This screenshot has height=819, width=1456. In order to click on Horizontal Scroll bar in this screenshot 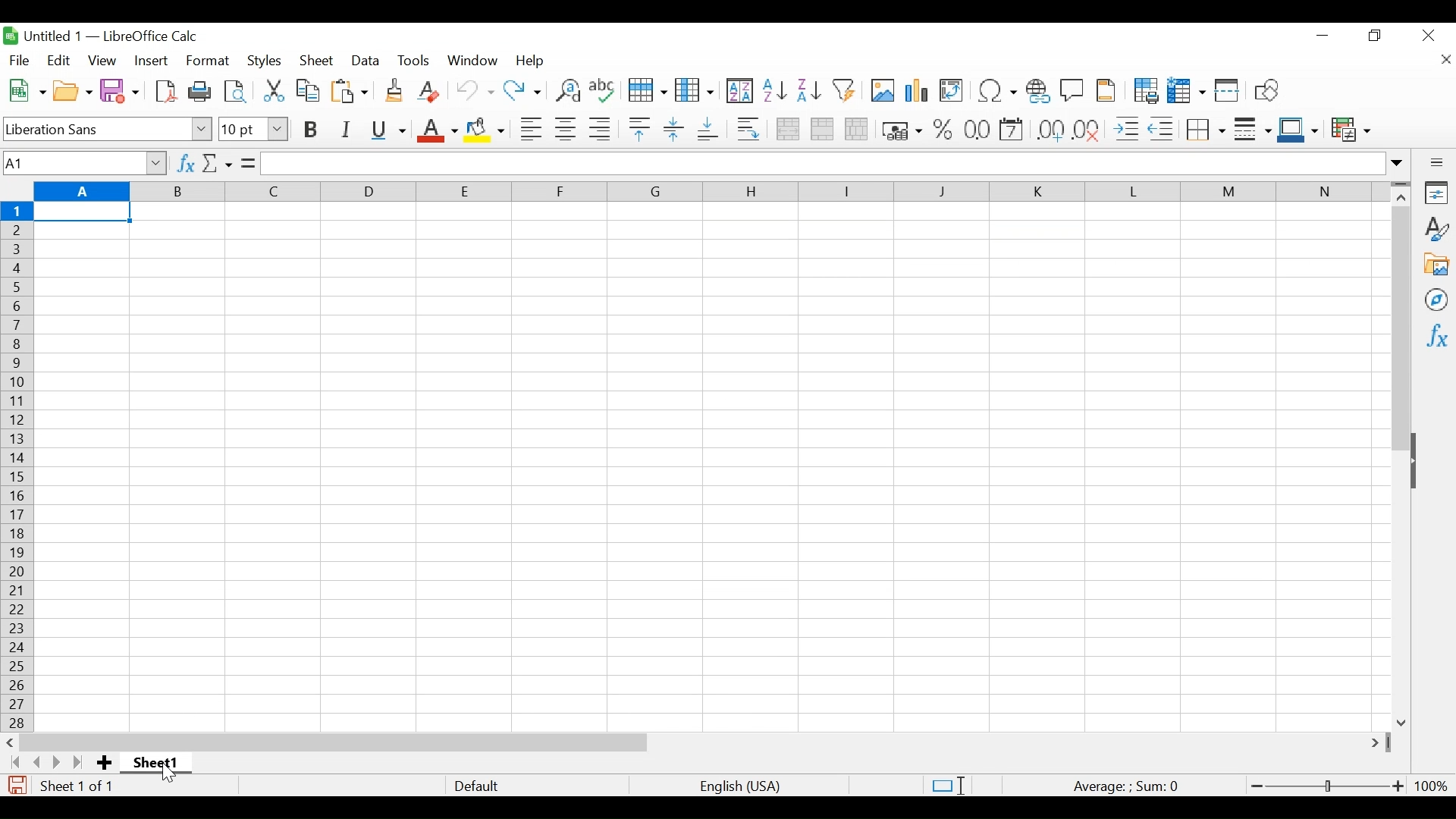, I will do `click(334, 742)`.